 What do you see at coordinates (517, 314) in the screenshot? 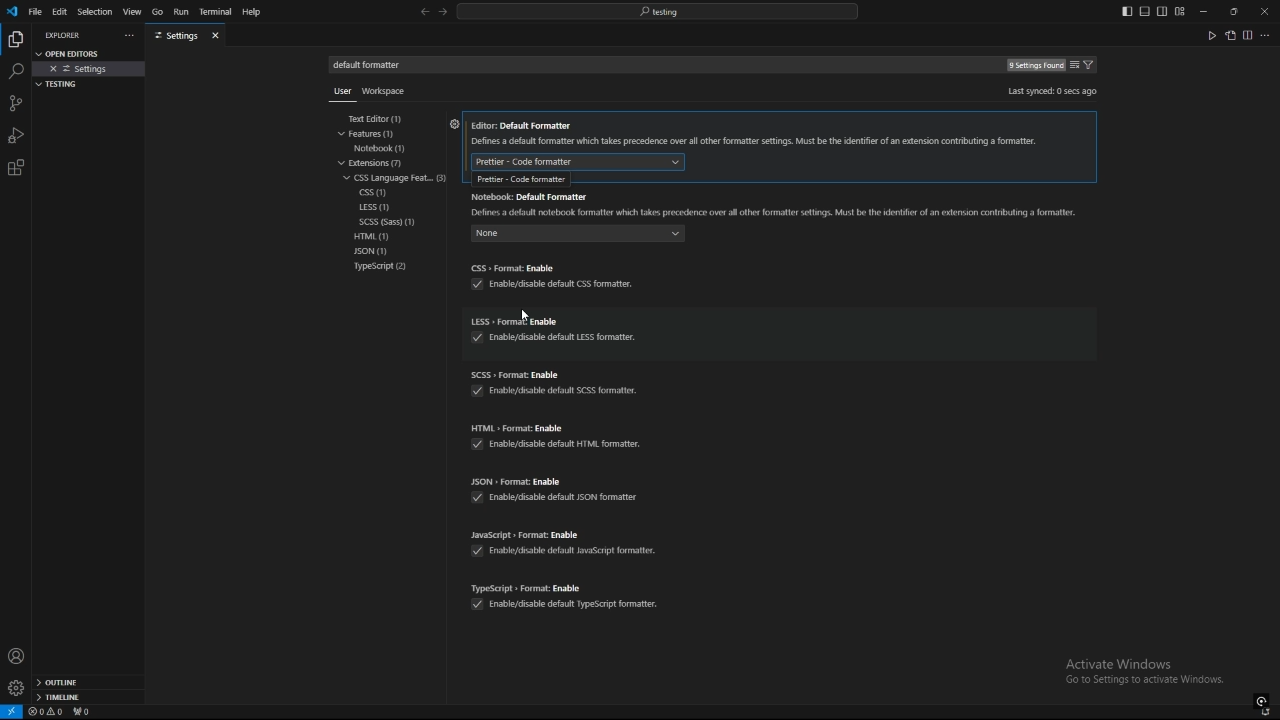
I see `cursor` at bounding box center [517, 314].